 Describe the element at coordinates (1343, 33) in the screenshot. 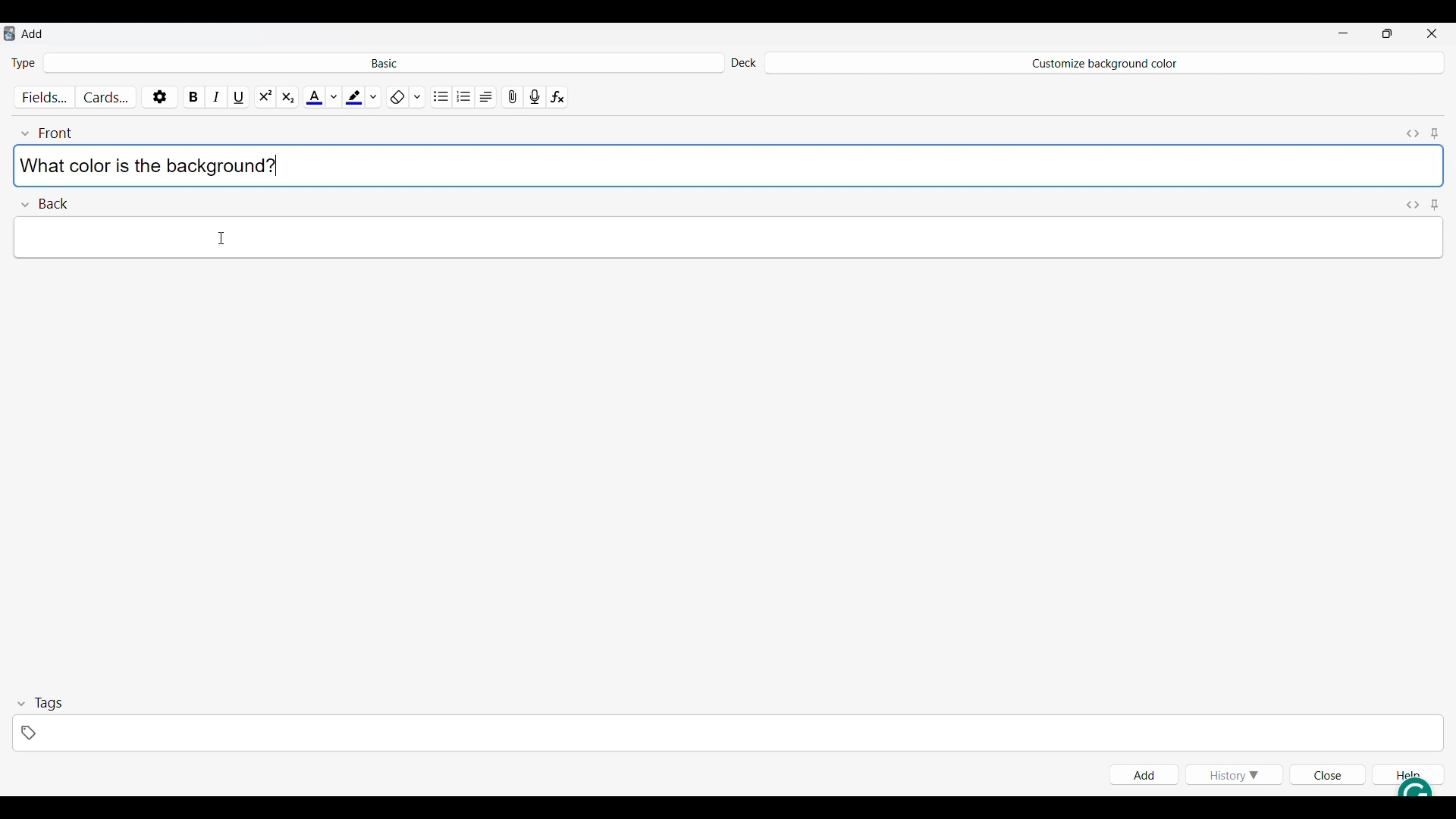

I see `Minimize` at that location.